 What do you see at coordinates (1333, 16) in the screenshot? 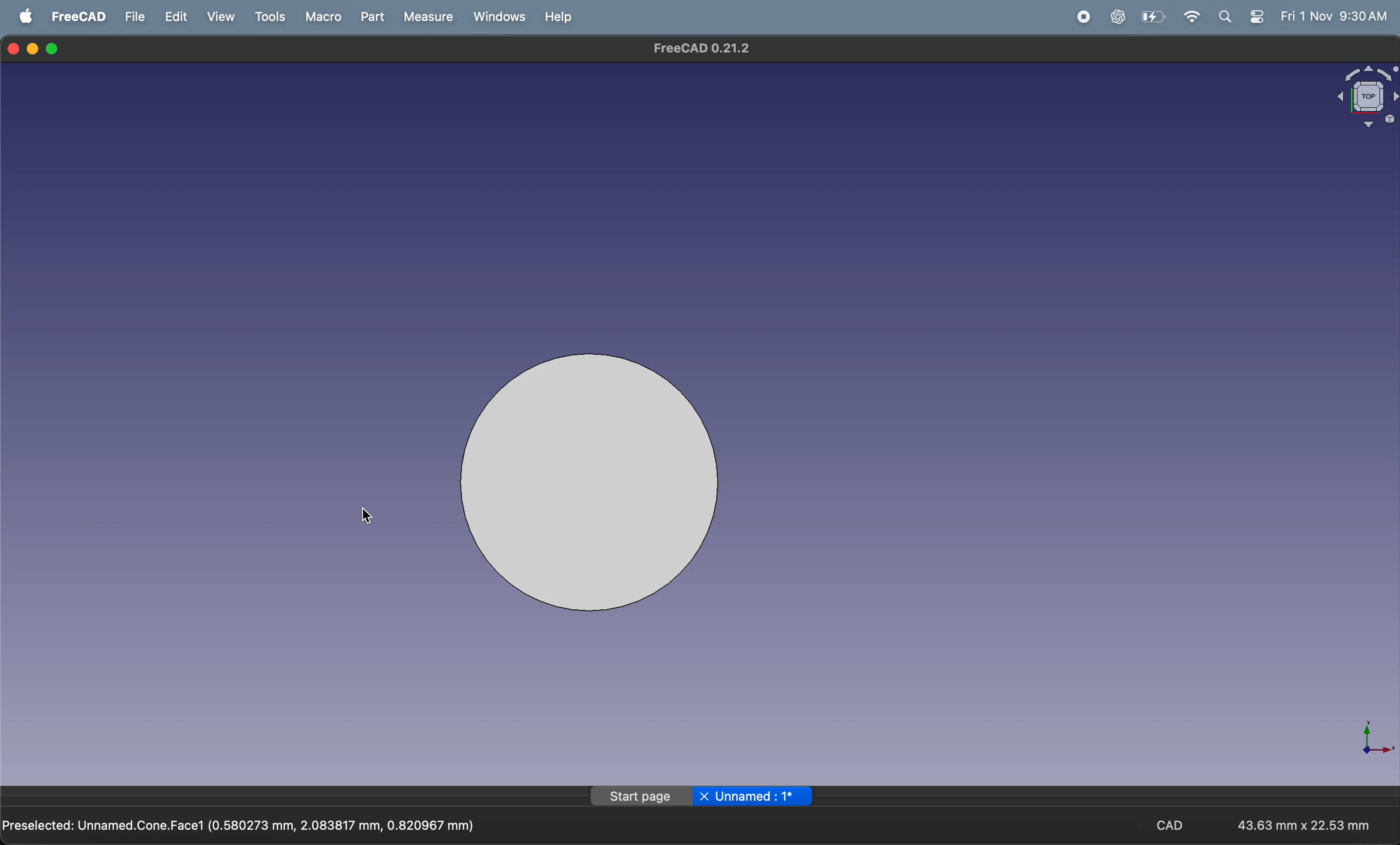
I see `Fri 1 Nov 9:30 AM` at bounding box center [1333, 16].